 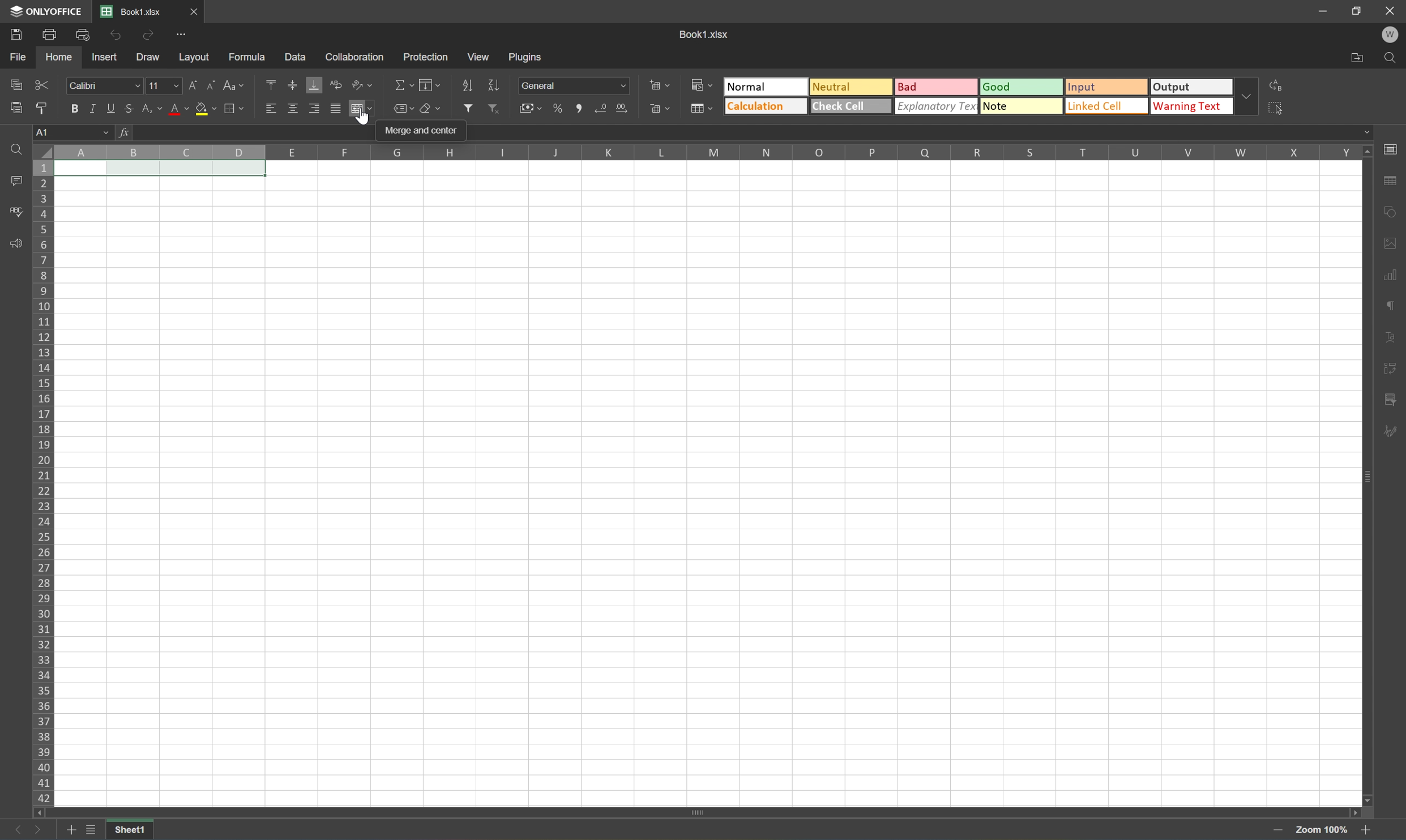 What do you see at coordinates (238, 108) in the screenshot?
I see `Borders` at bounding box center [238, 108].